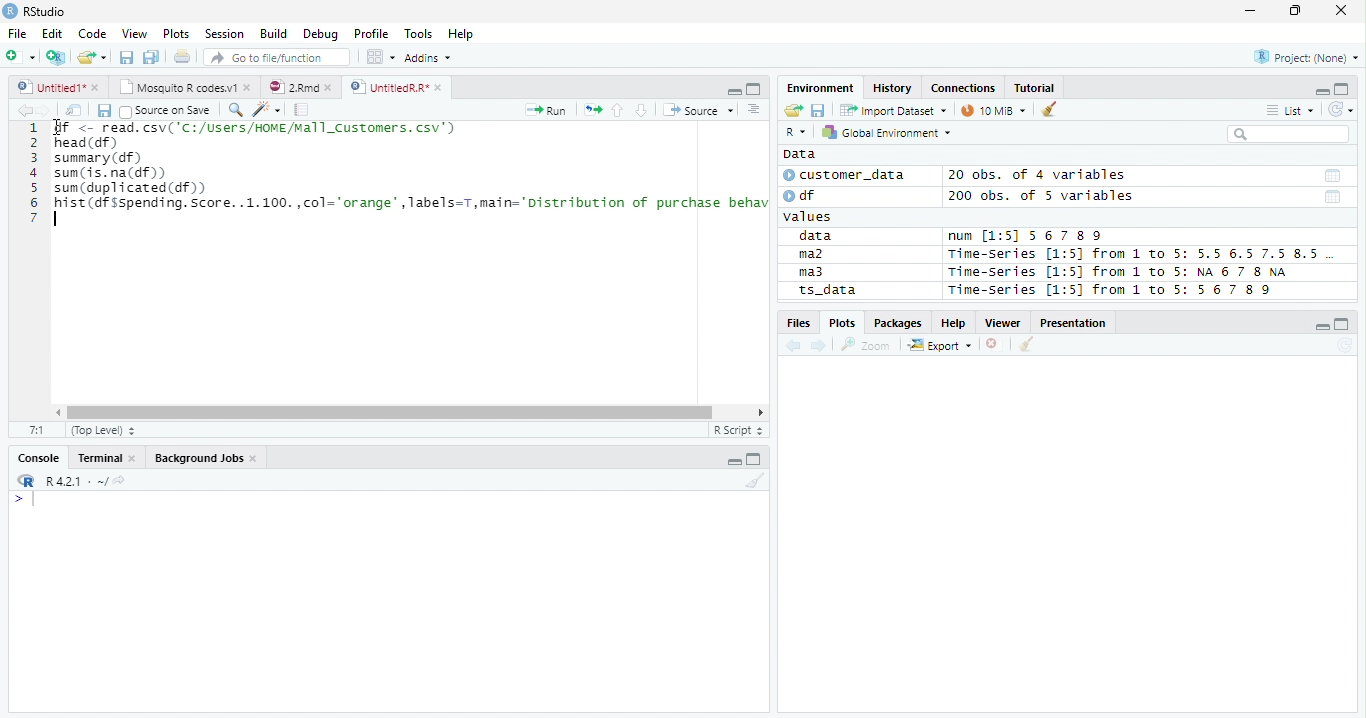 The height and width of the screenshot is (718, 1366). I want to click on ts_data, so click(855, 293).